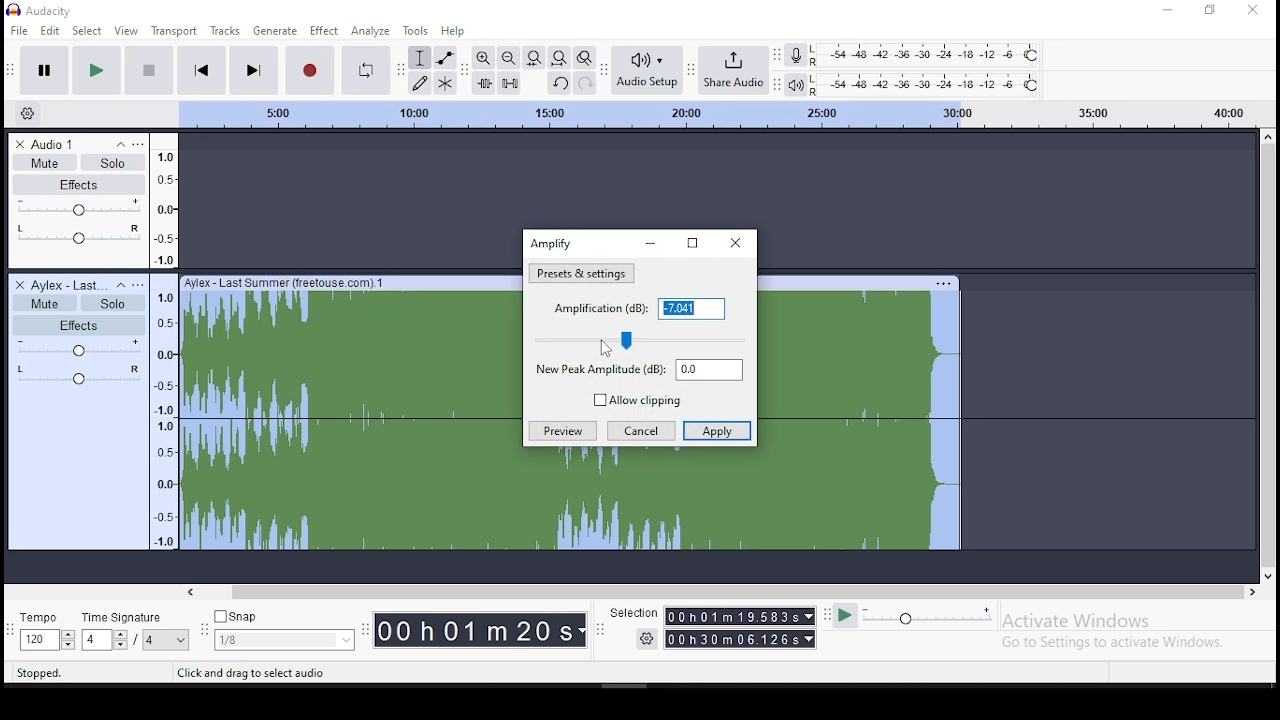 This screenshot has width=1280, height=720. Describe the element at coordinates (16, 30) in the screenshot. I see `file` at that location.